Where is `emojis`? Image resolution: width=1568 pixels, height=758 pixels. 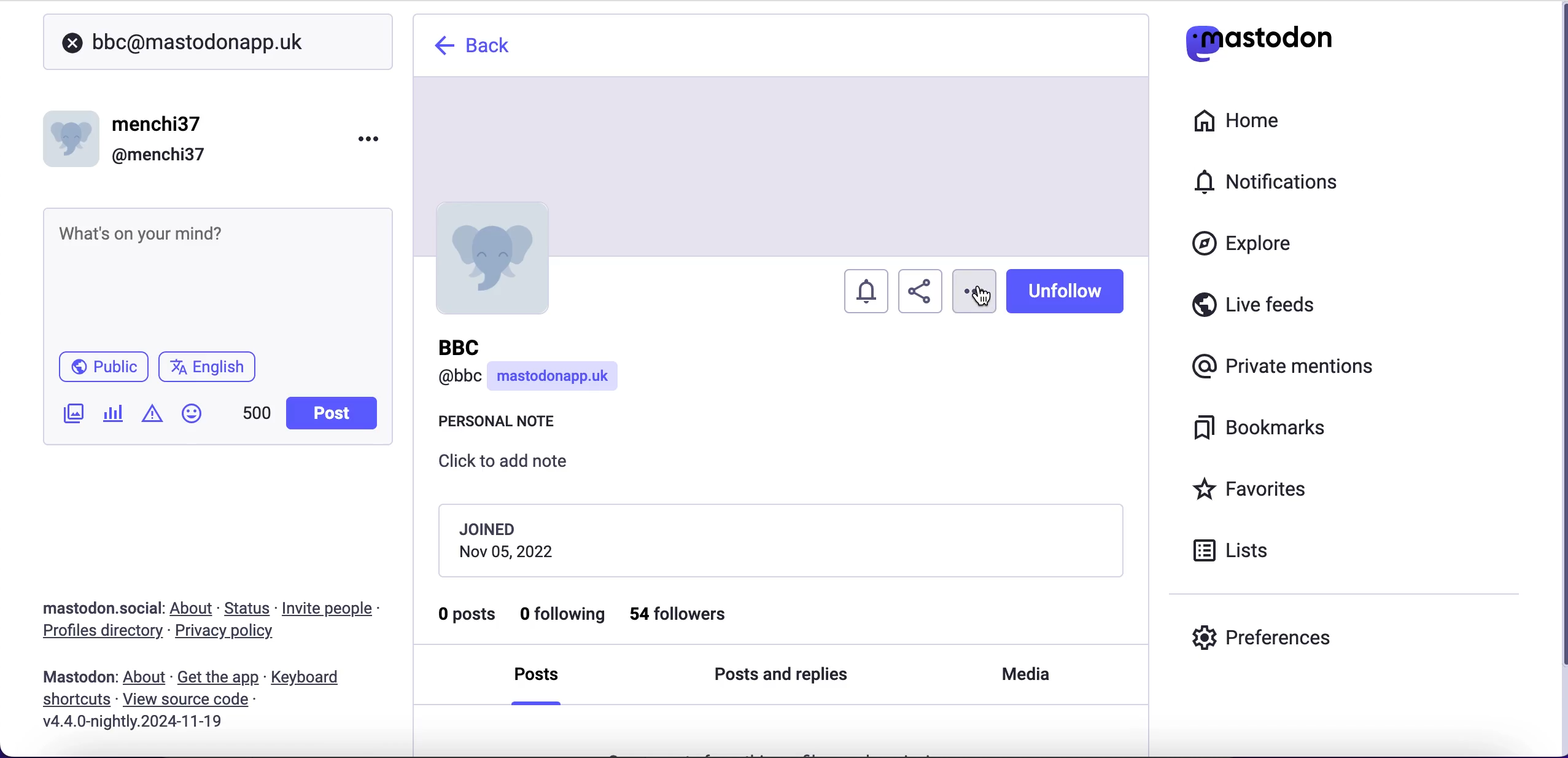
emojis is located at coordinates (197, 420).